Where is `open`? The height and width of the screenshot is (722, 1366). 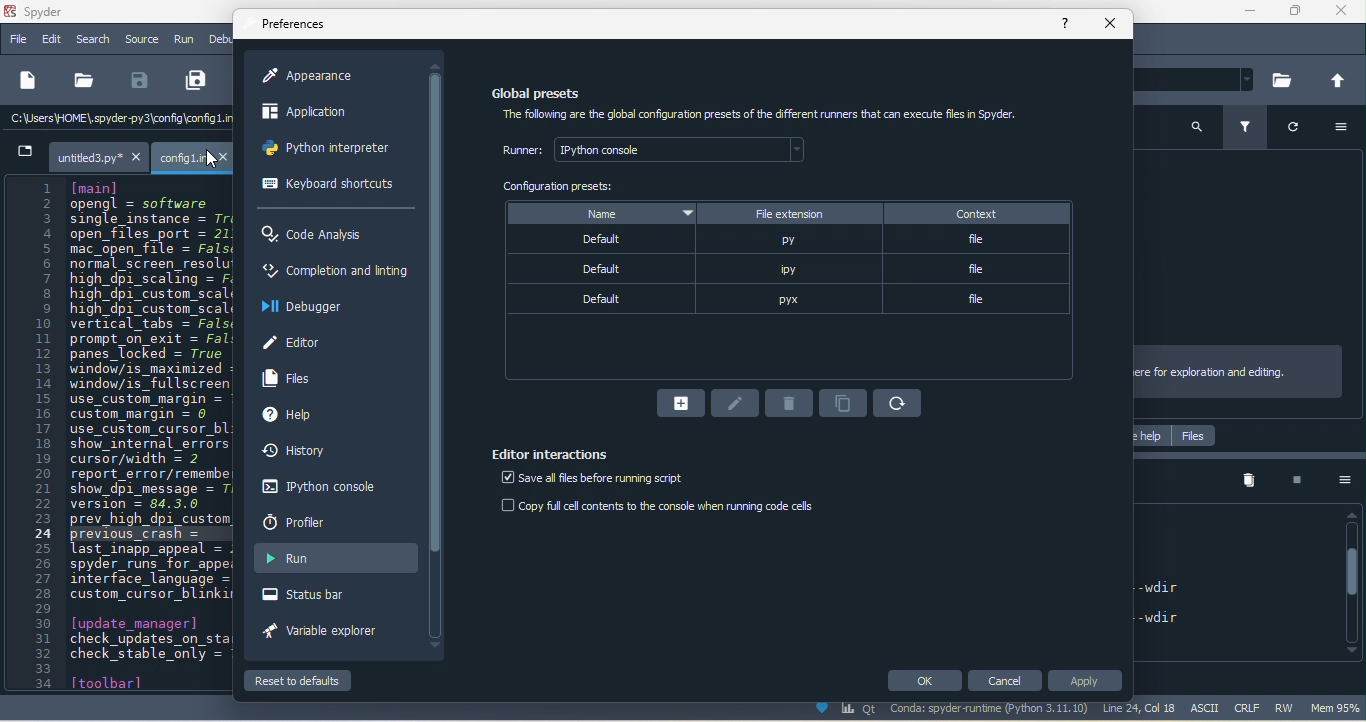
open is located at coordinates (81, 80).